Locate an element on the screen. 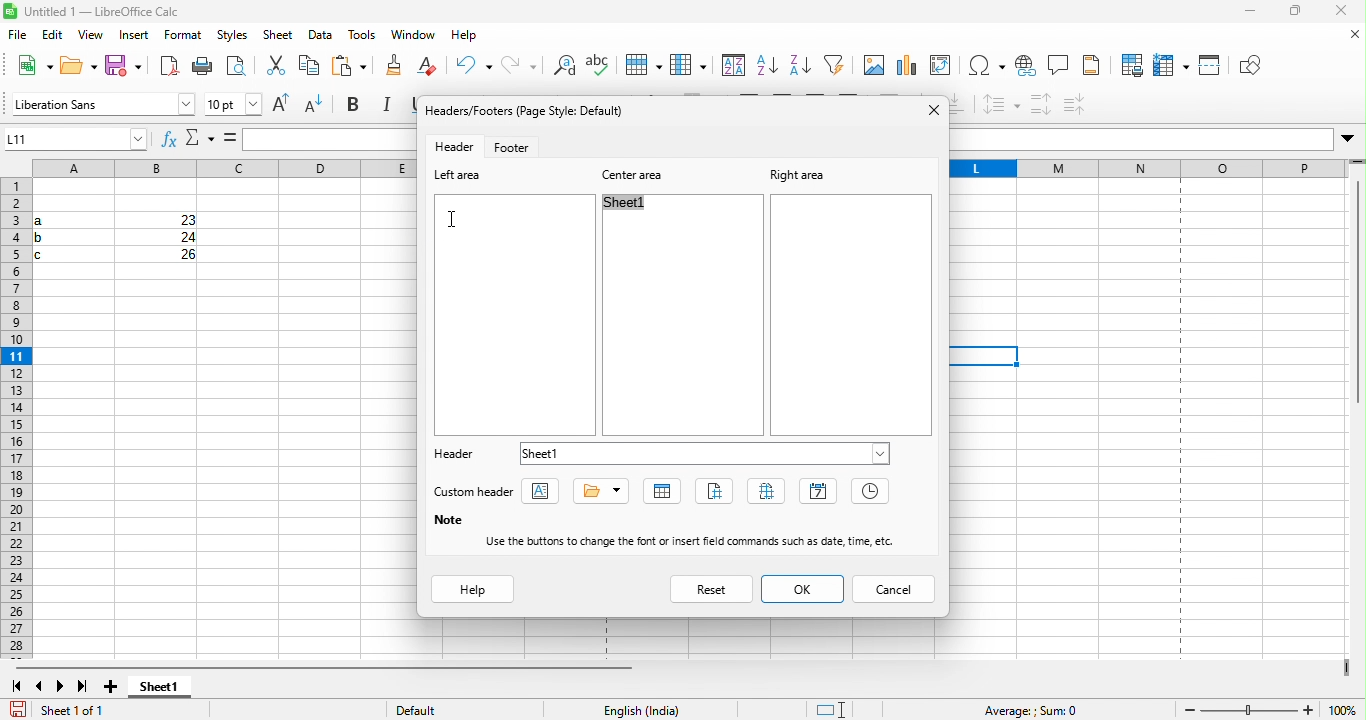 The image size is (1366, 720). cells is located at coordinates (113, 239).